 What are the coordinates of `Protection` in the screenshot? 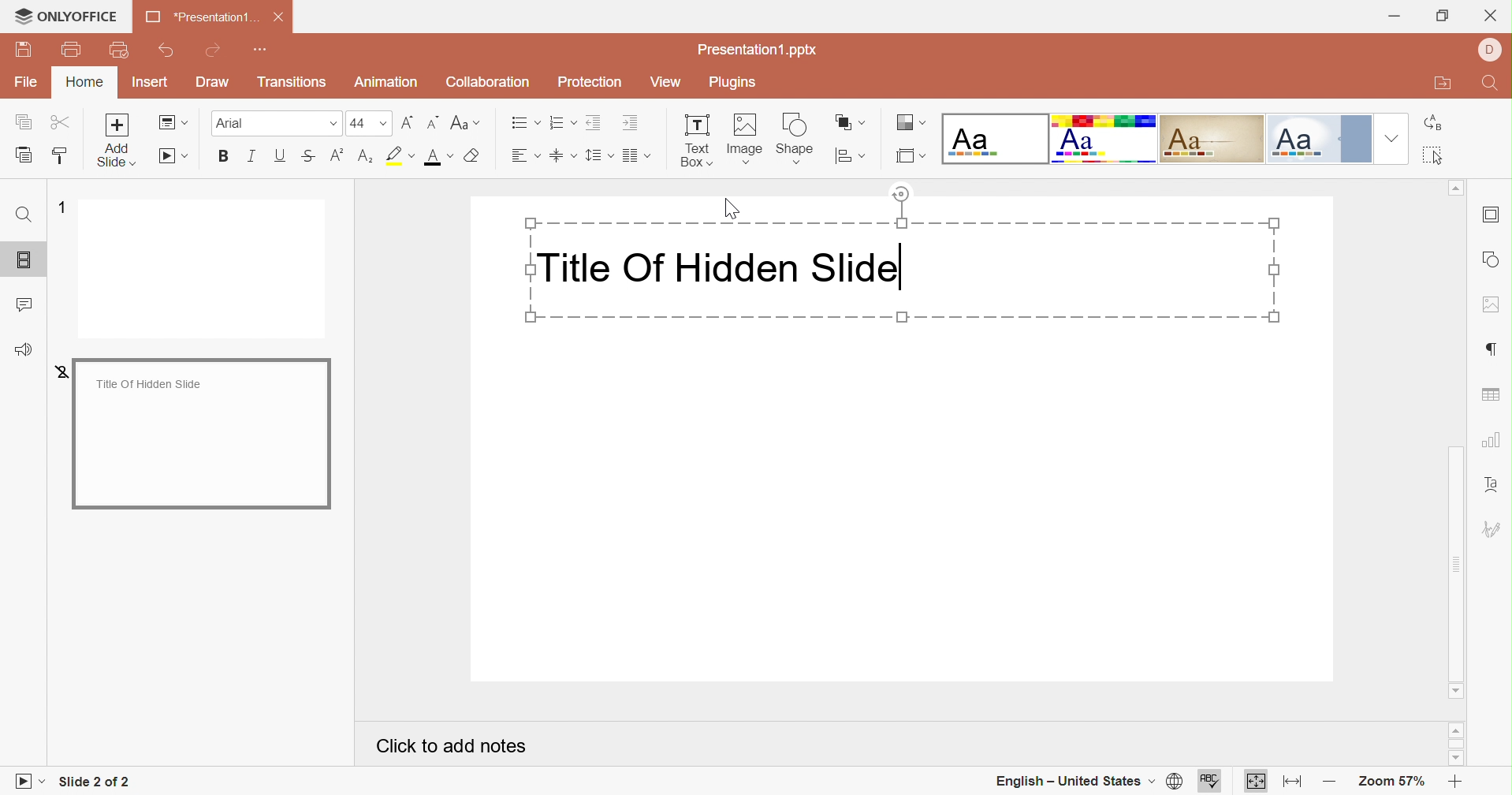 It's located at (588, 80).